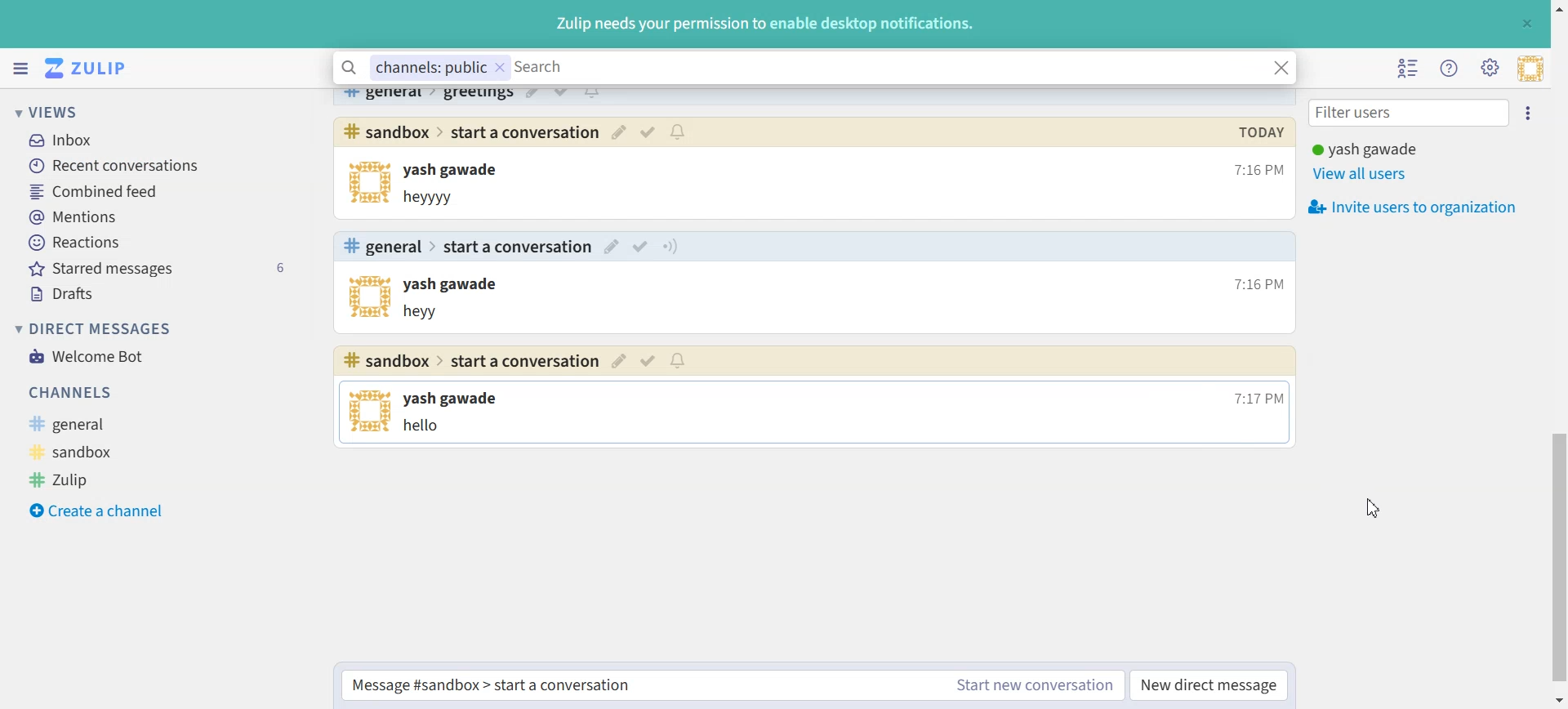 This screenshot has height=709, width=1568. What do you see at coordinates (1368, 508) in the screenshot?
I see `Cursor` at bounding box center [1368, 508].